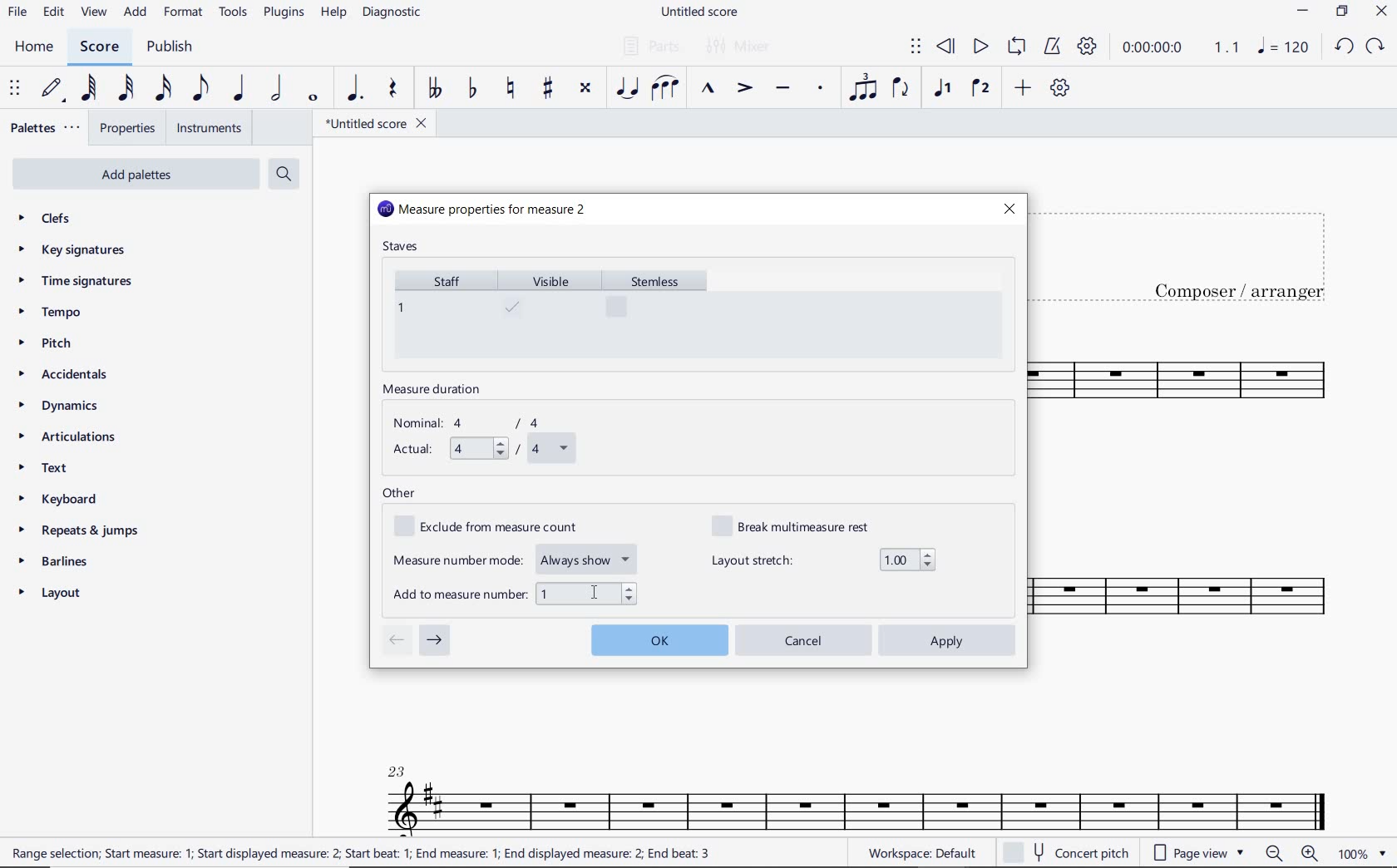  I want to click on PLAY, so click(979, 47).